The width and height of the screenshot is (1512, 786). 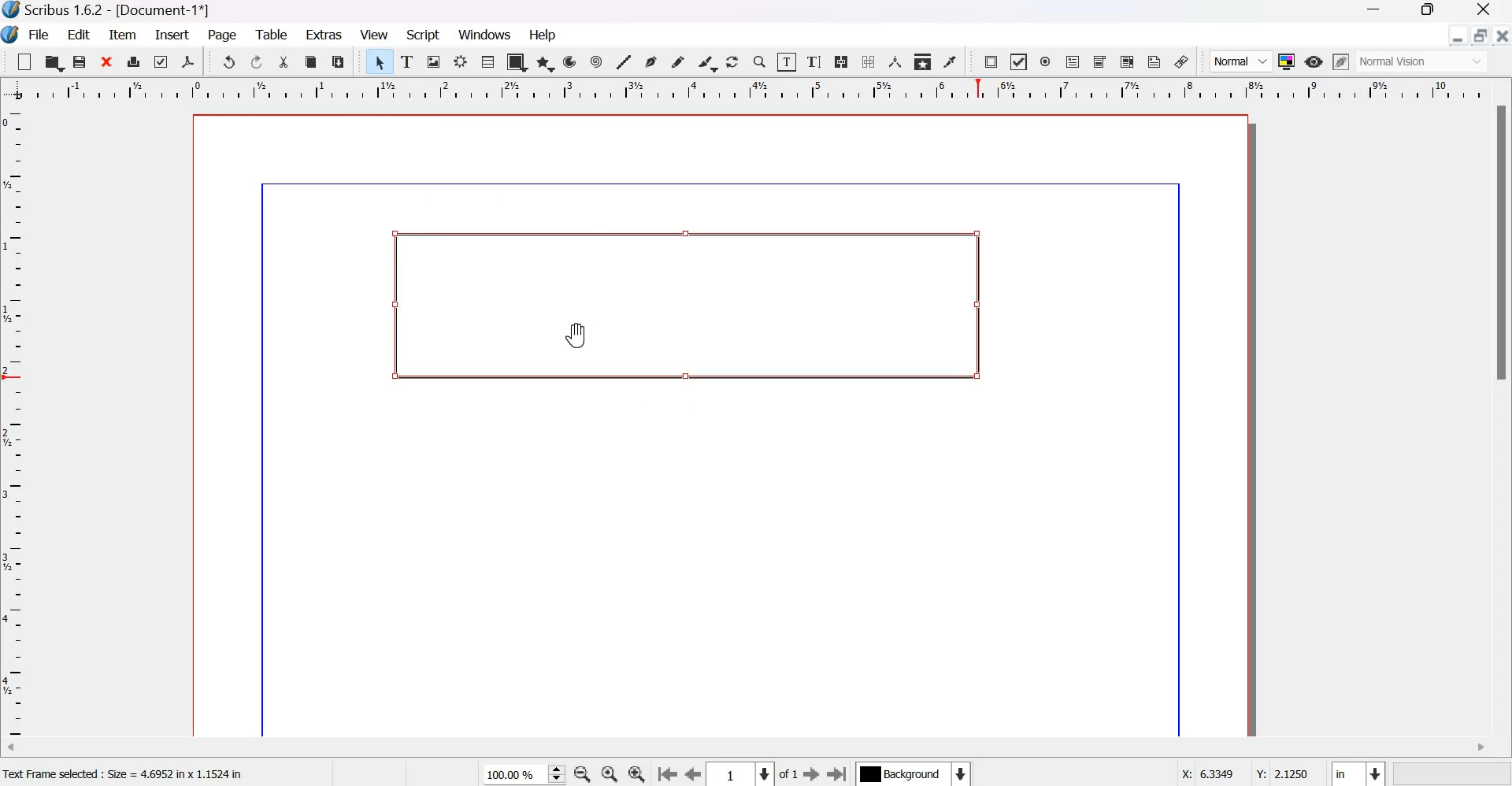 What do you see at coordinates (11, 35) in the screenshot?
I see `Logo` at bounding box center [11, 35].